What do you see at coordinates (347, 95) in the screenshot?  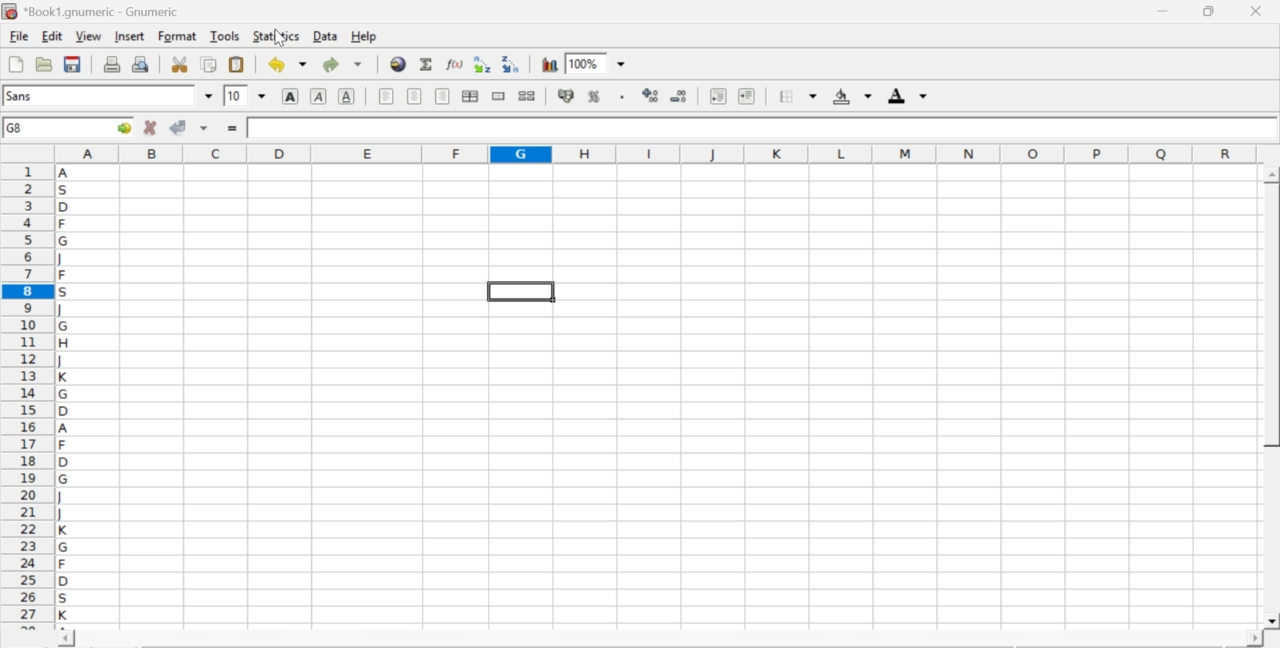 I see `underline` at bounding box center [347, 95].